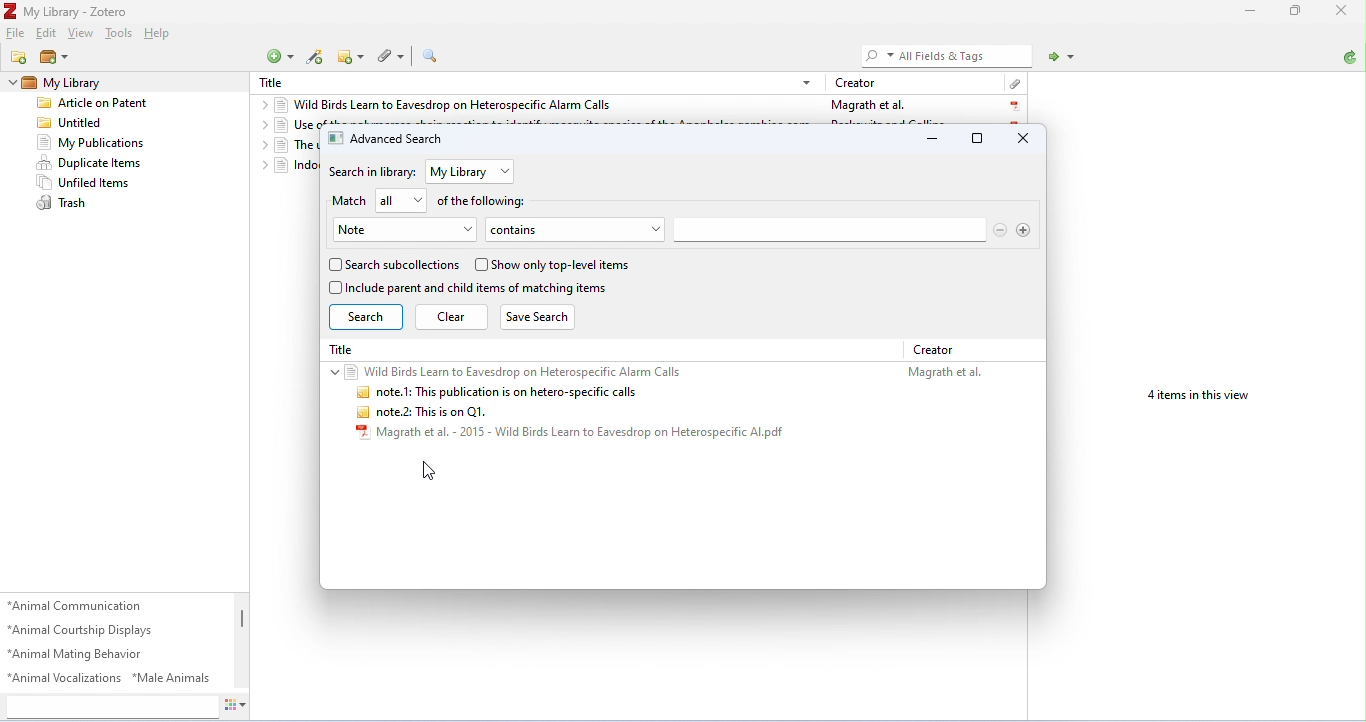 The height and width of the screenshot is (722, 1366). Describe the element at coordinates (434, 56) in the screenshot. I see `advanced search` at that location.